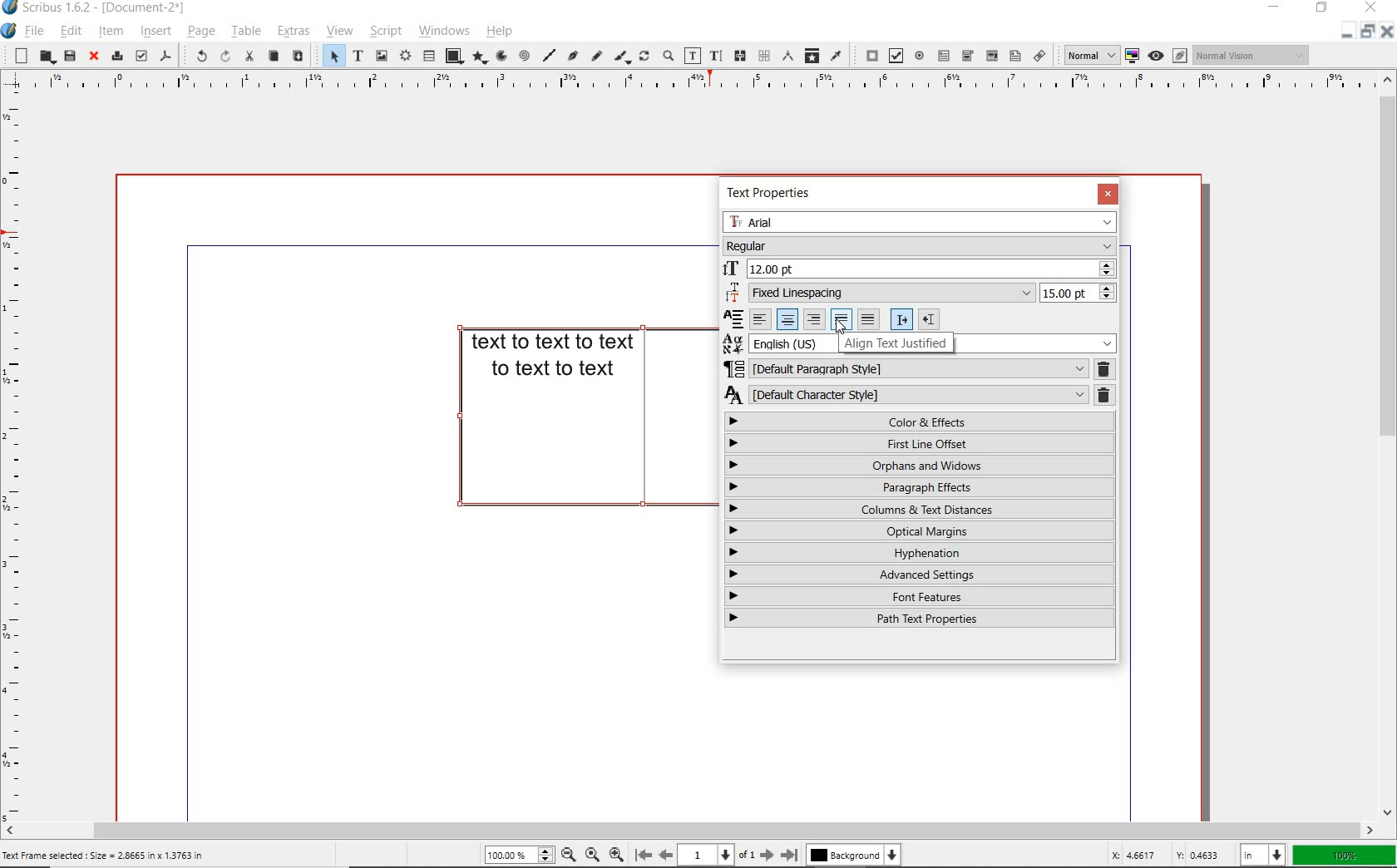  Describe the element at coordinates (1133, 56) in the screenshot. I see `toggle color` at that location.